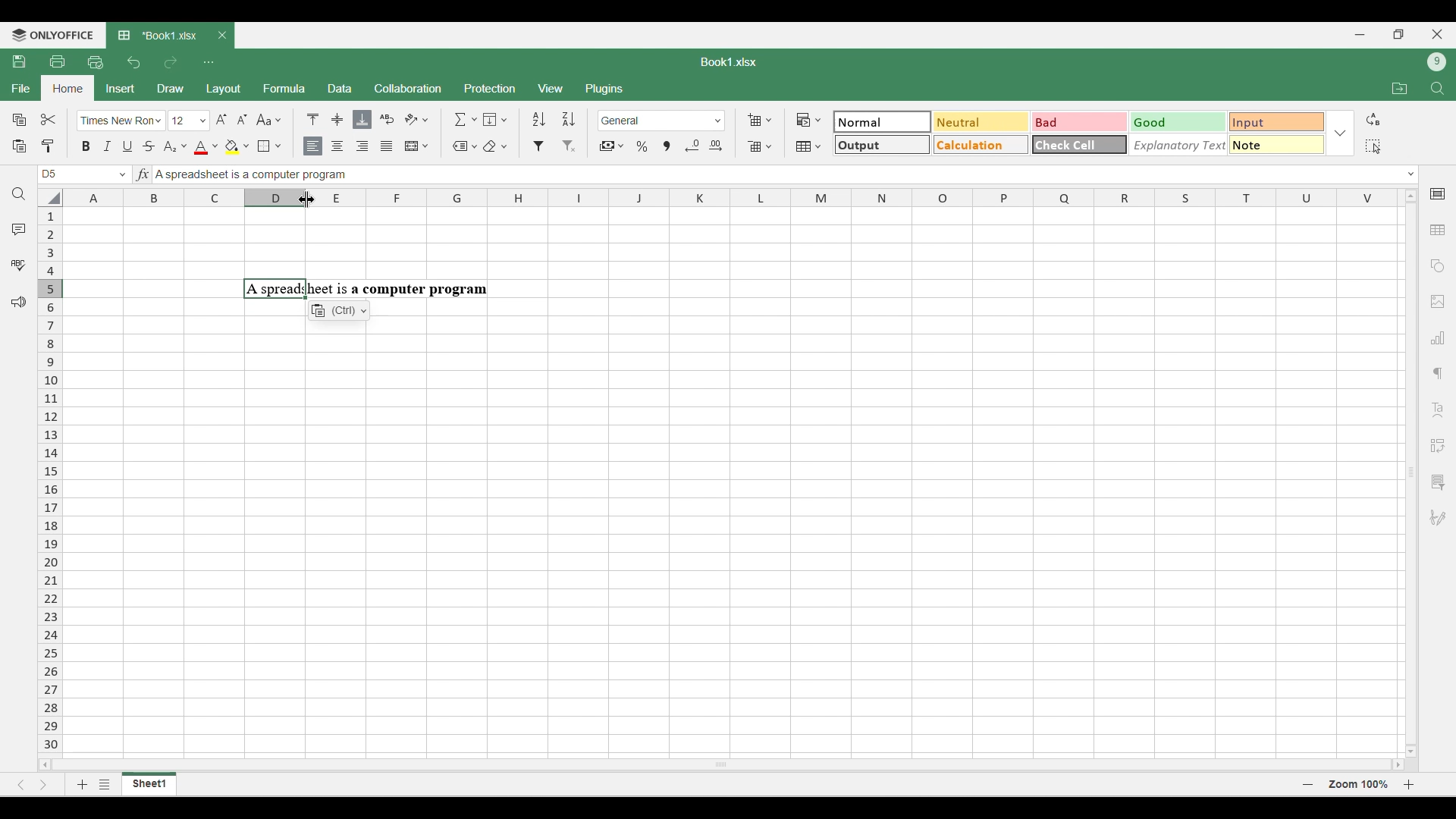  Describe the element at coordinates (494, 146) in the screenshot. I see `Clear options` at that location.